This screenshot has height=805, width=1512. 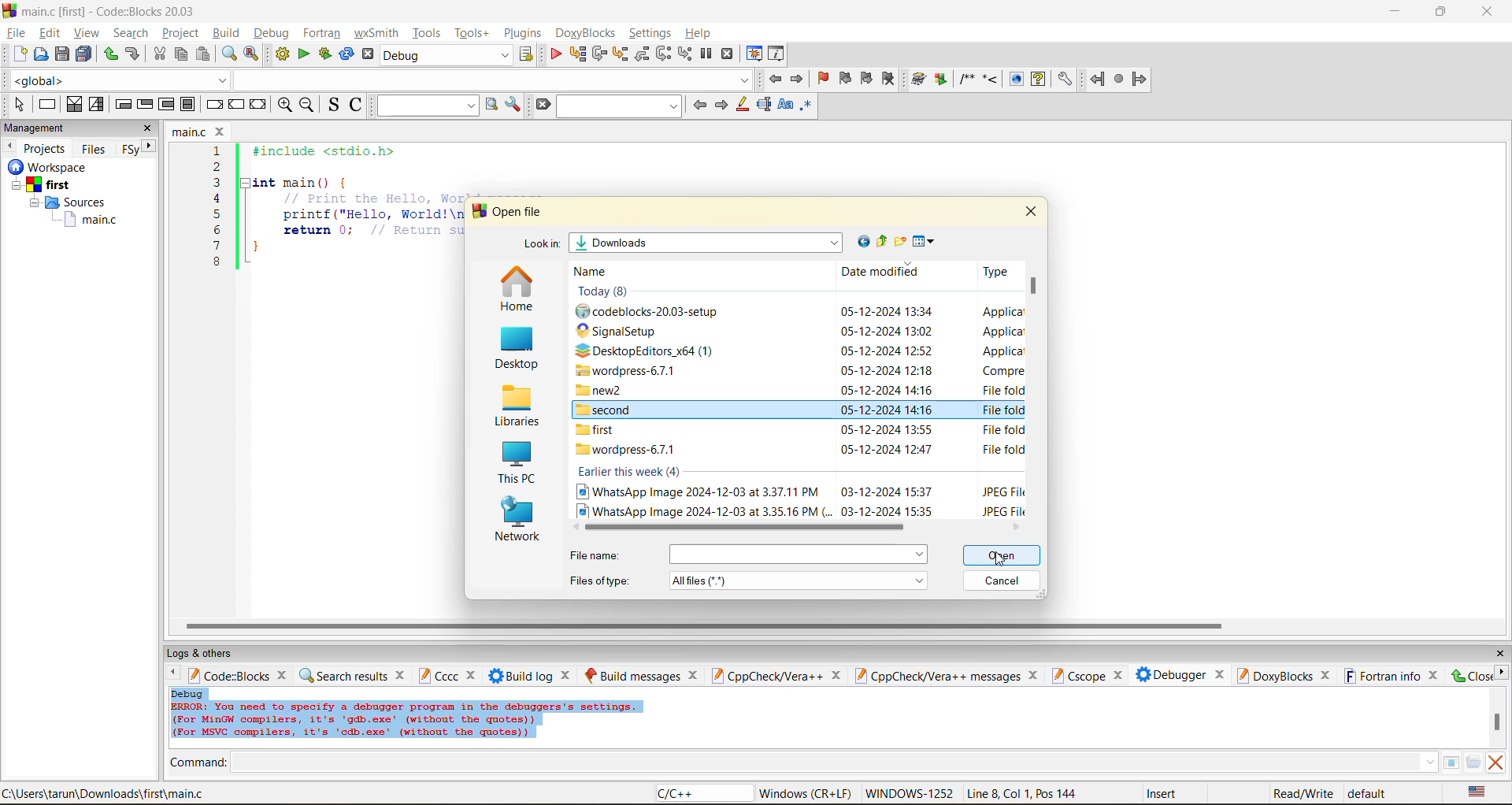 What do you see at coordinates (1099, 79) in the screenshot?
I see `back` at bounding box center [1099, 79].